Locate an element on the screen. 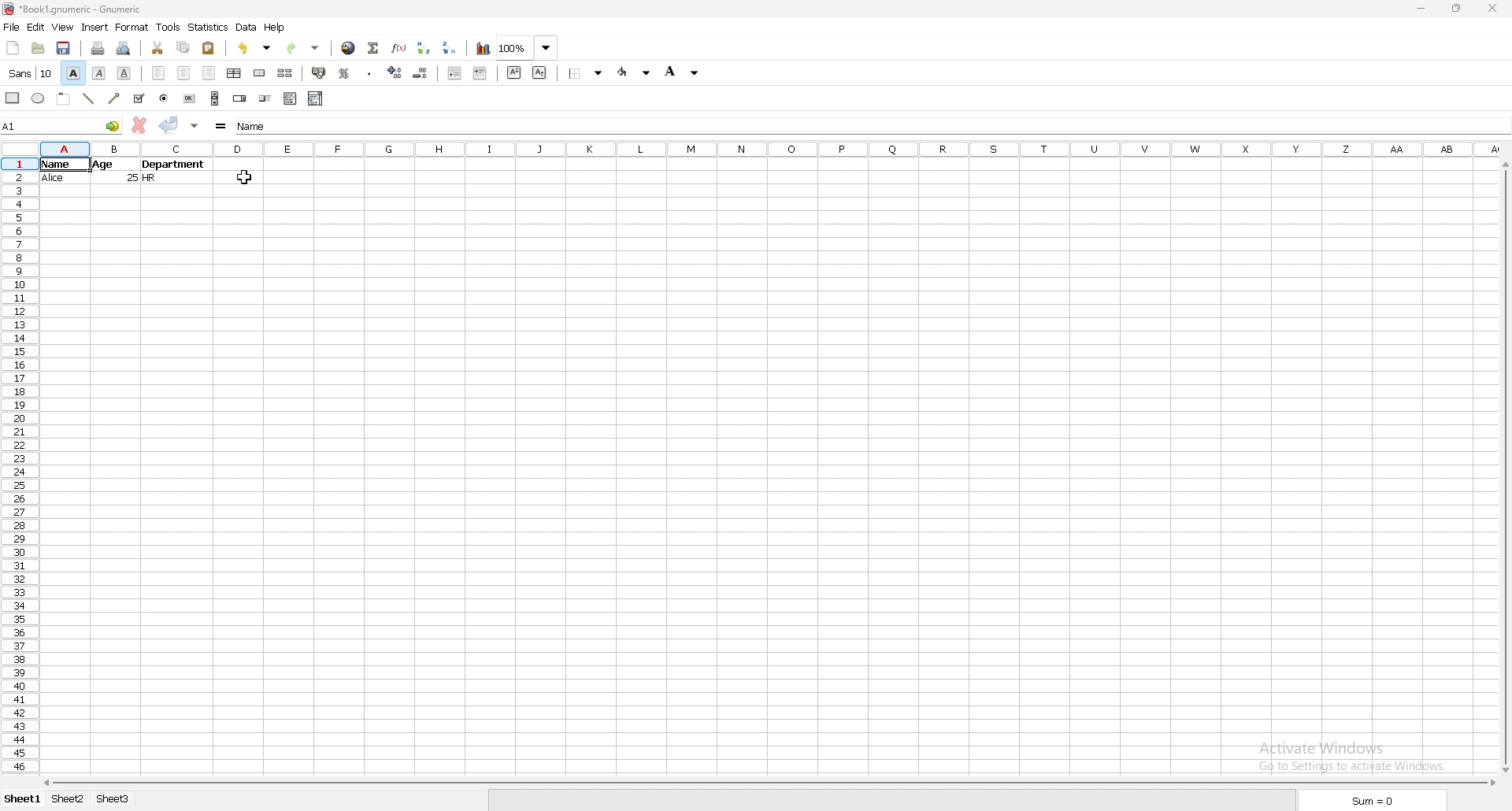  list is located at coordinates (291, 98).